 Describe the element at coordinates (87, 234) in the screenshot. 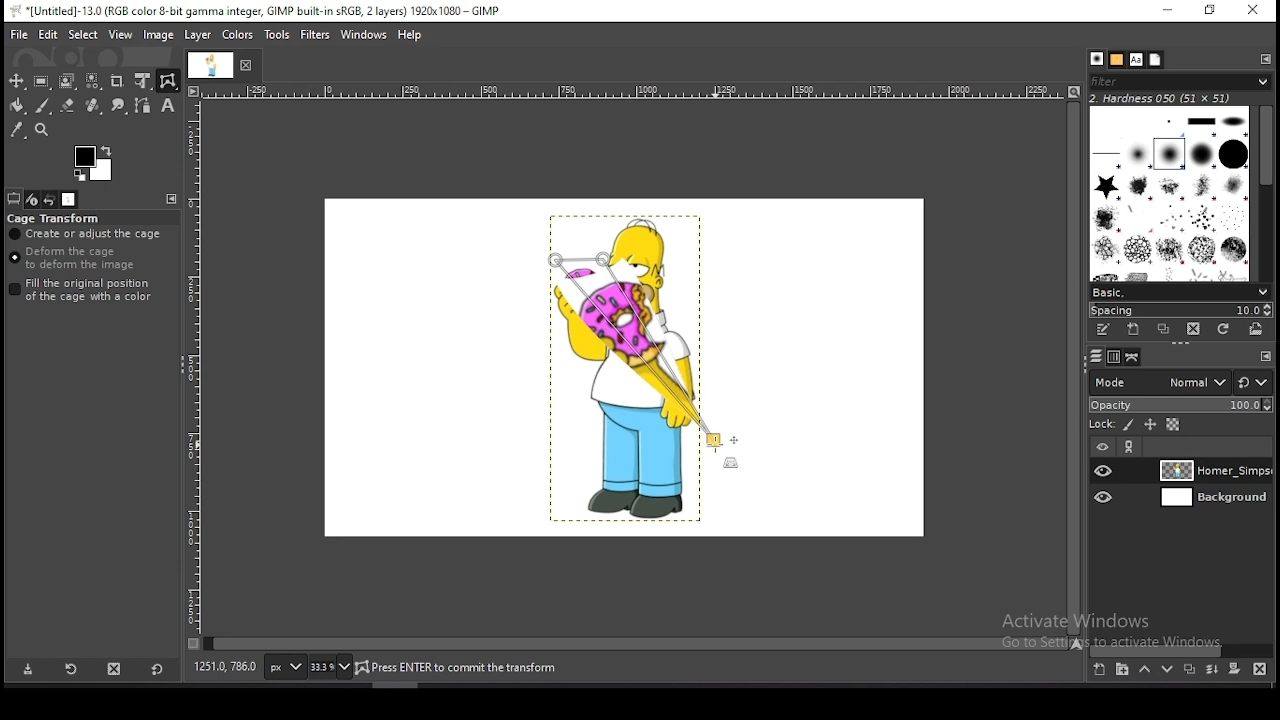

I see `create or adjust cage` at that location.